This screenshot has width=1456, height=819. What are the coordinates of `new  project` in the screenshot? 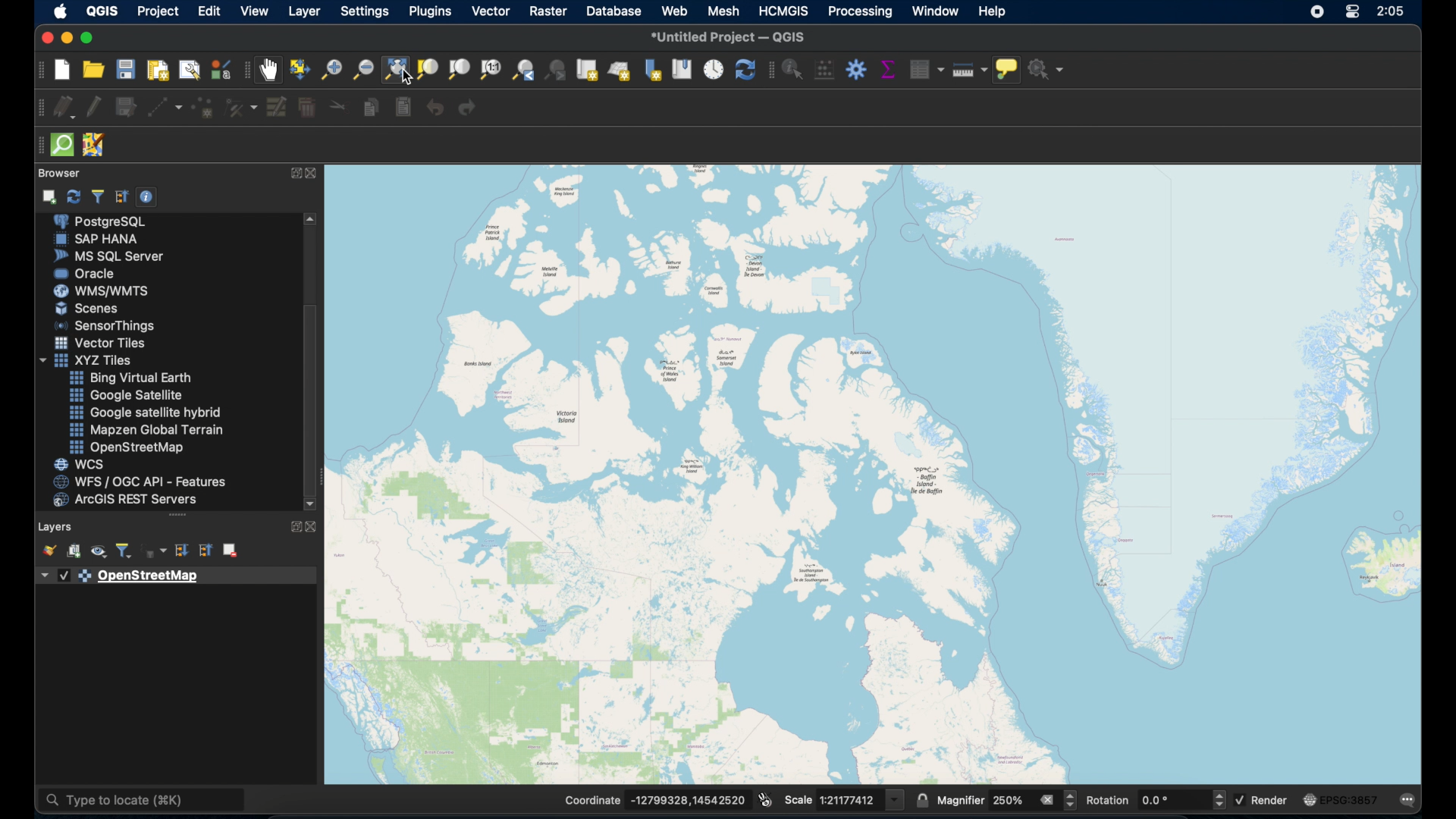 It's located at (61, 69).